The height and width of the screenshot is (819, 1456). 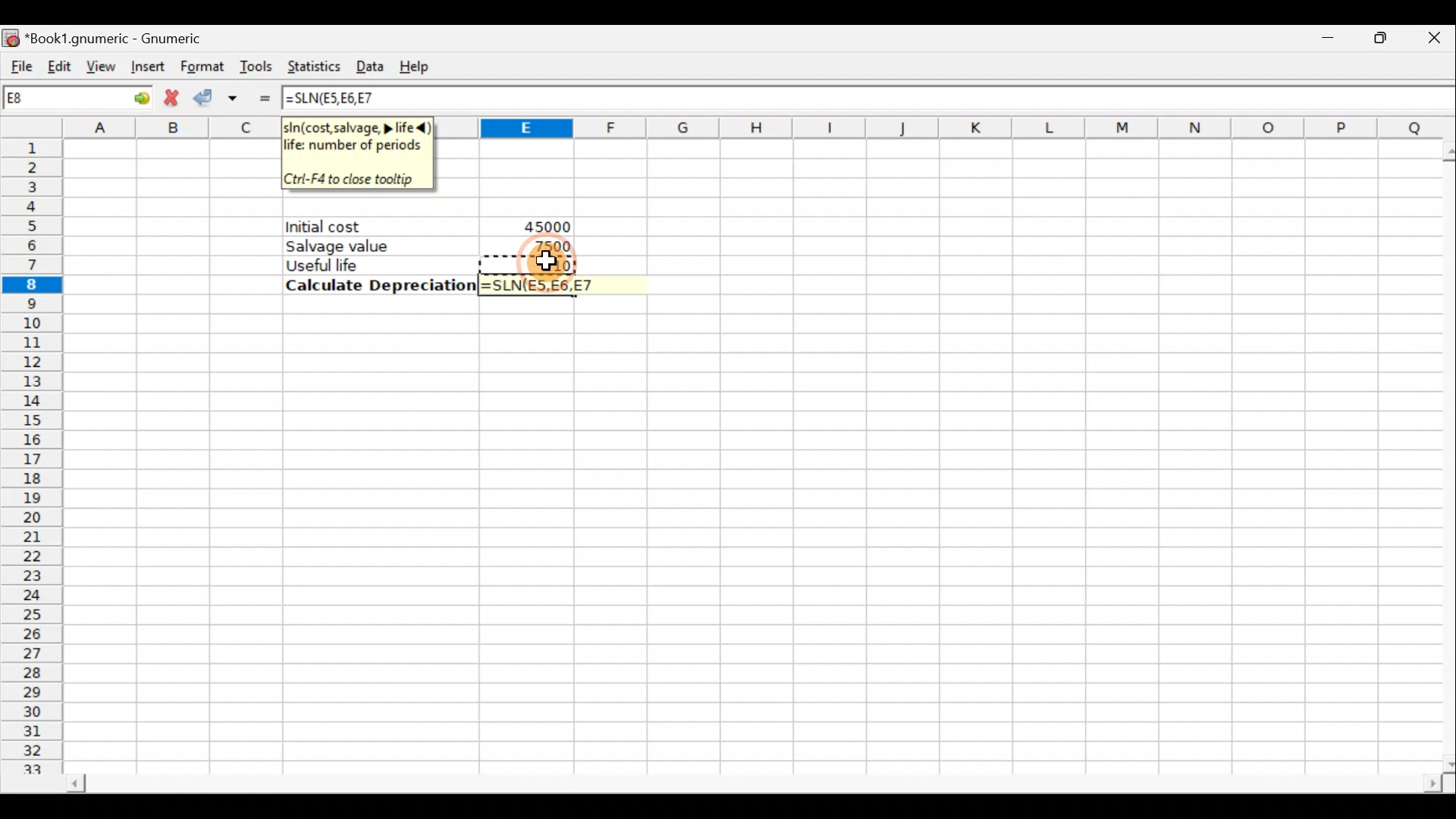 What do you see at coordinates (918, 99) in the screenshot?
I see `Formula bar` at bounding box center [918, 99].